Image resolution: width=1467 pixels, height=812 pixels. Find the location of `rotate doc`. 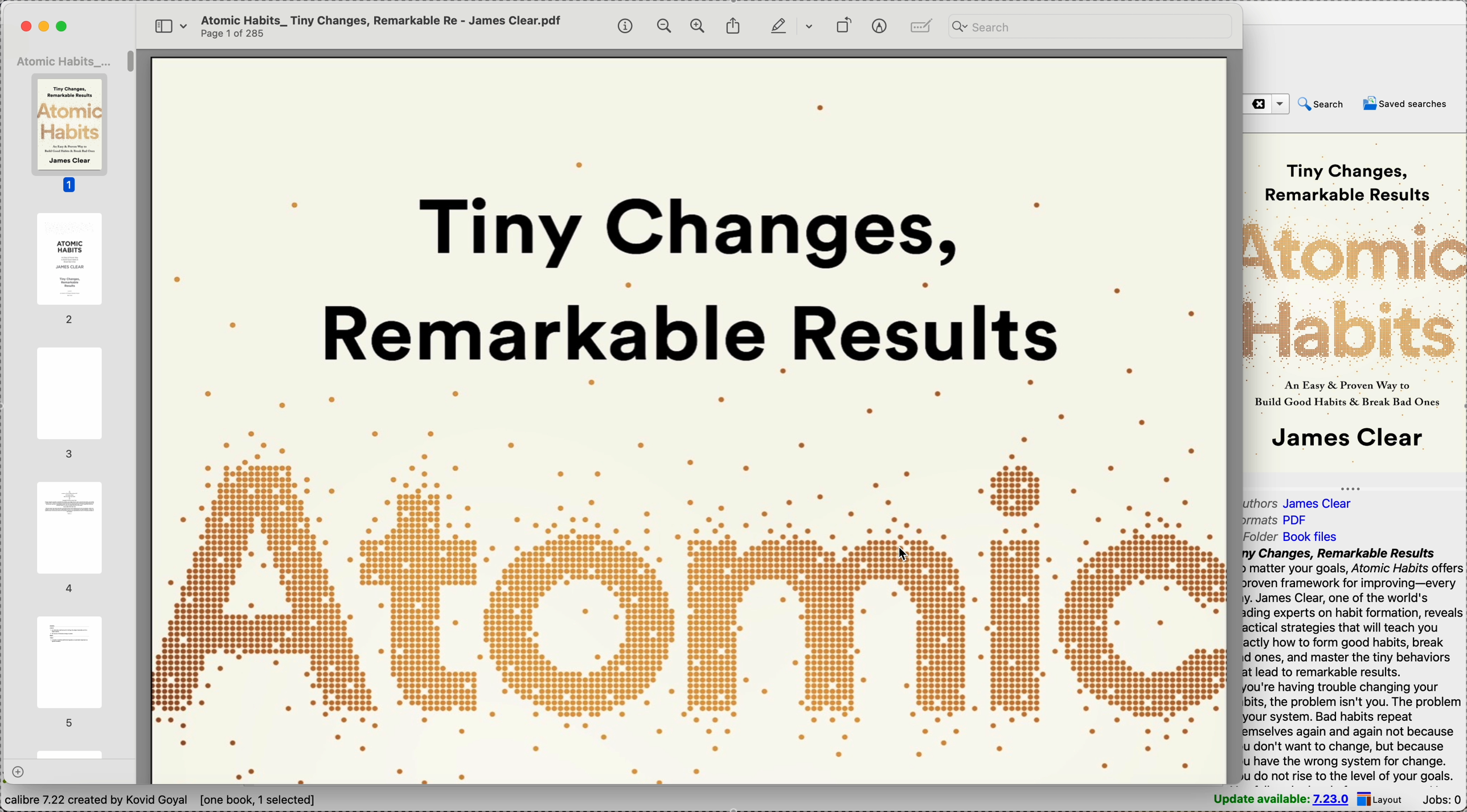

rotate doc is located at coordinates (842, 24).